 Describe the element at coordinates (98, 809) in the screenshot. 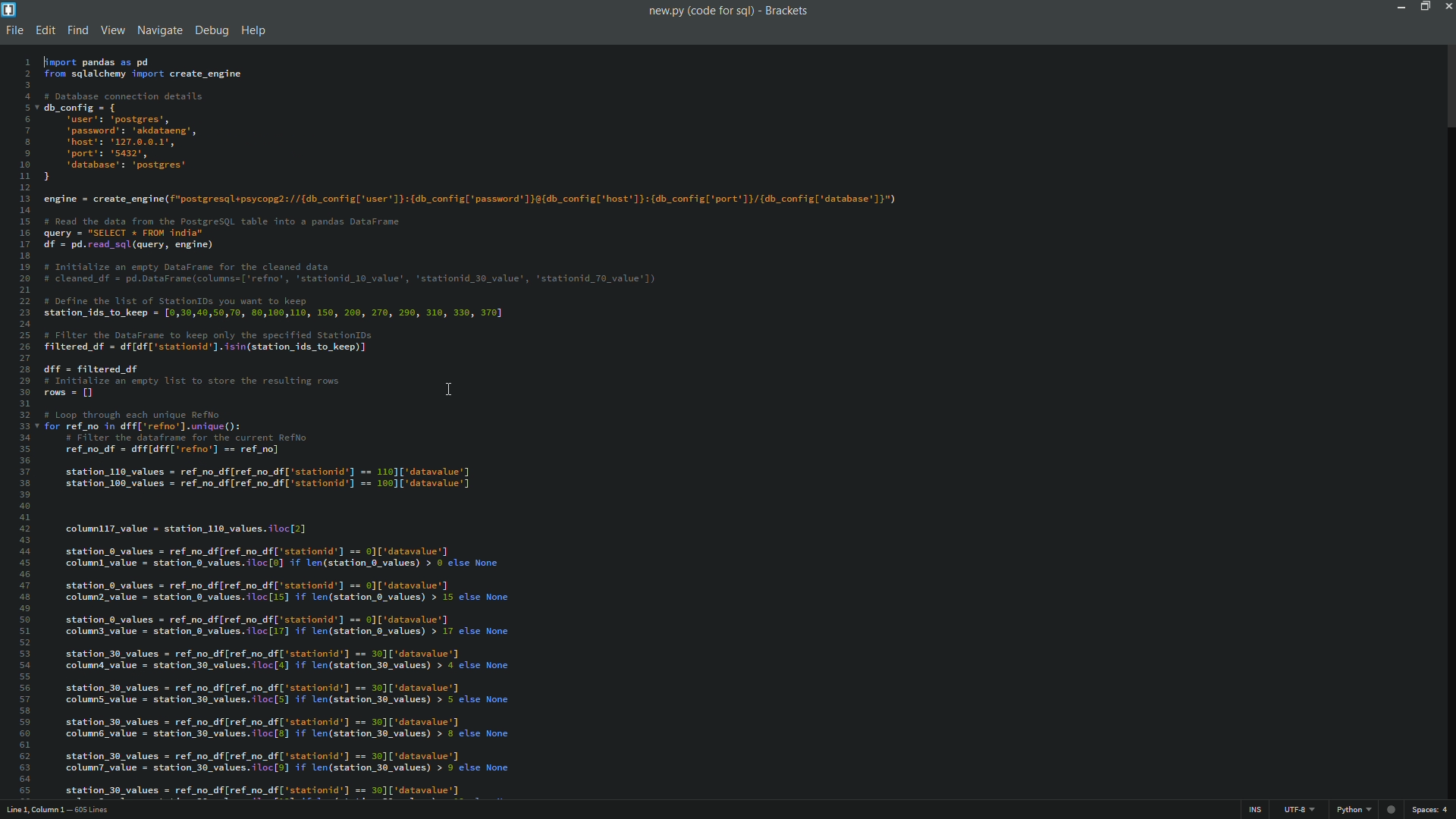

I see `number of lines` at that location.